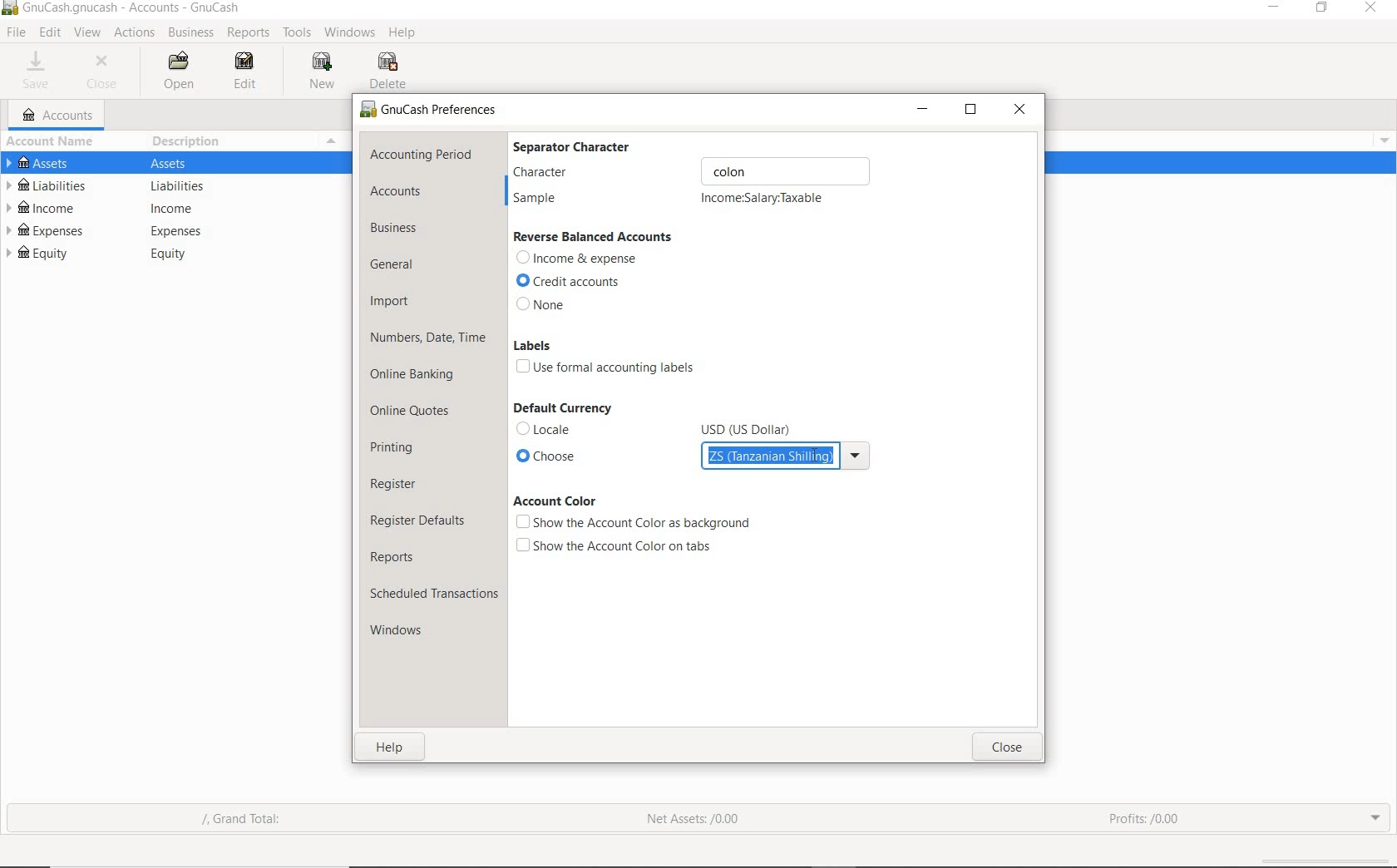 This screenshot has width=1397, height=868. What do you see at coordinates (397, 190) in the screenshot?
I see `accounts` at bounding box center [397, 190].